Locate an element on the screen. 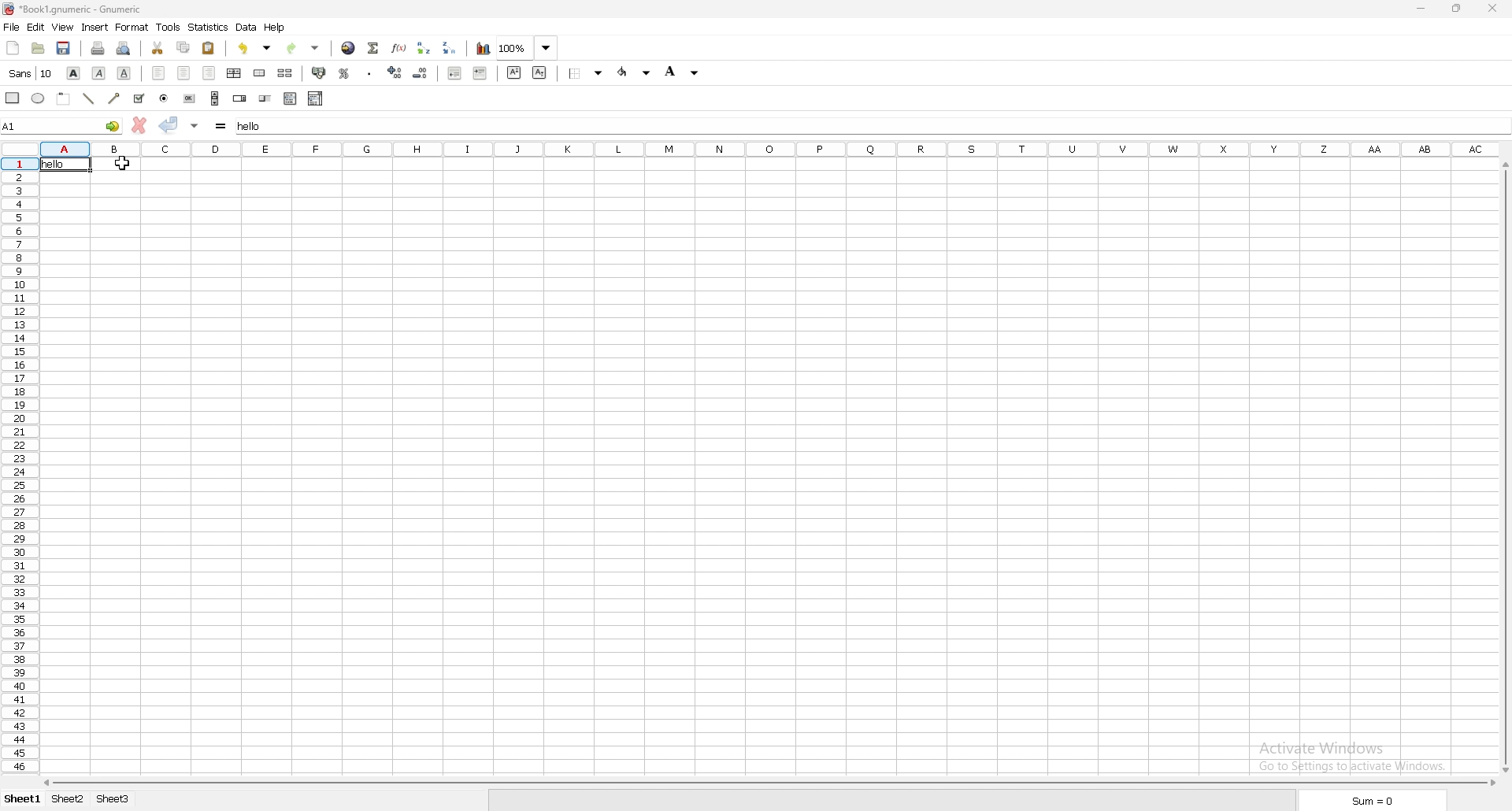 This screenshot has height=811, width=1512. cut is located at coordinates (157, 48).